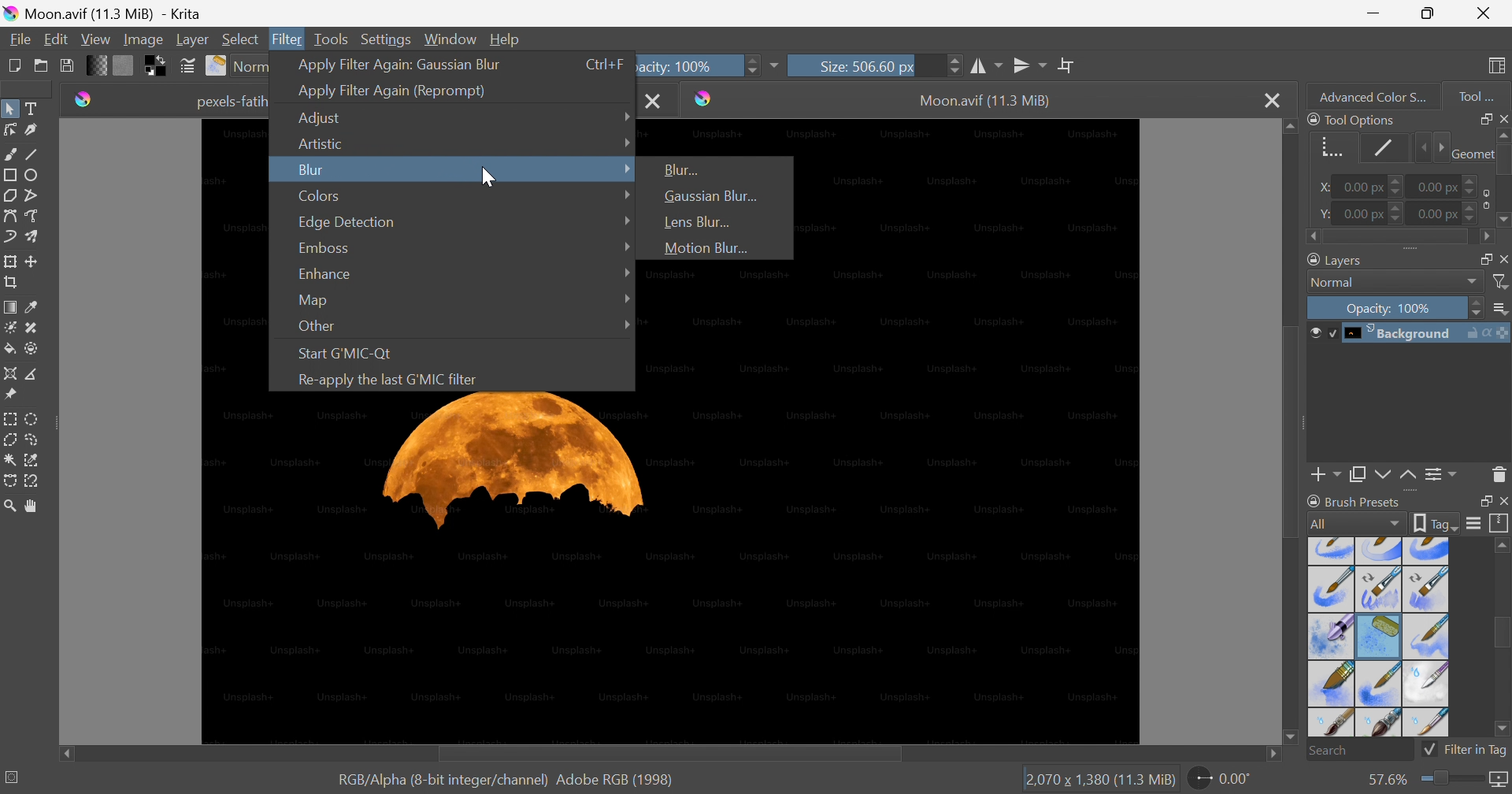 This screenshot has width=1512, height=794. I want to click on File, so click(21, 40).